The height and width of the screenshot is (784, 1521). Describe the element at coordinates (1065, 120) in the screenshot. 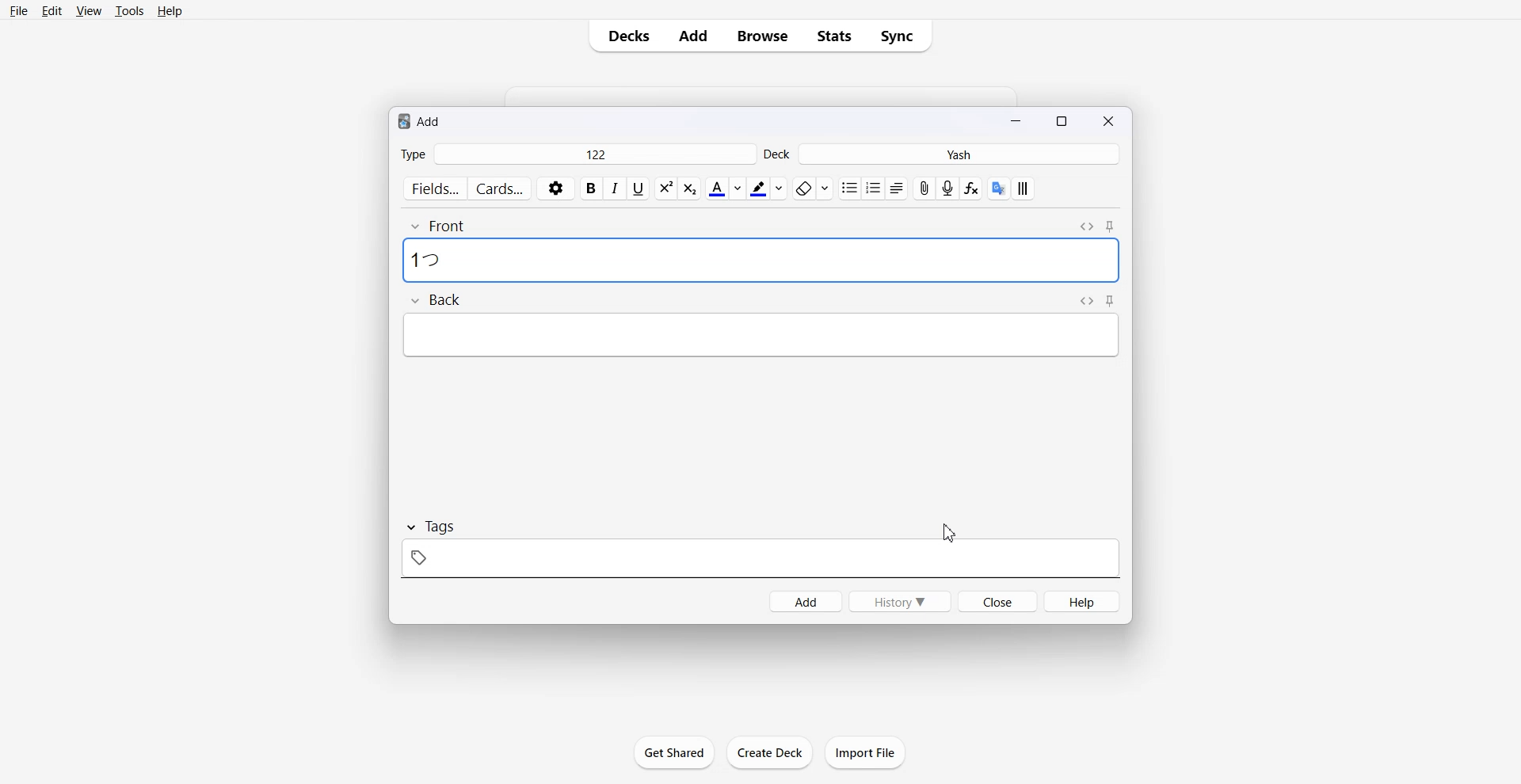

I see `Maximize` at that location.